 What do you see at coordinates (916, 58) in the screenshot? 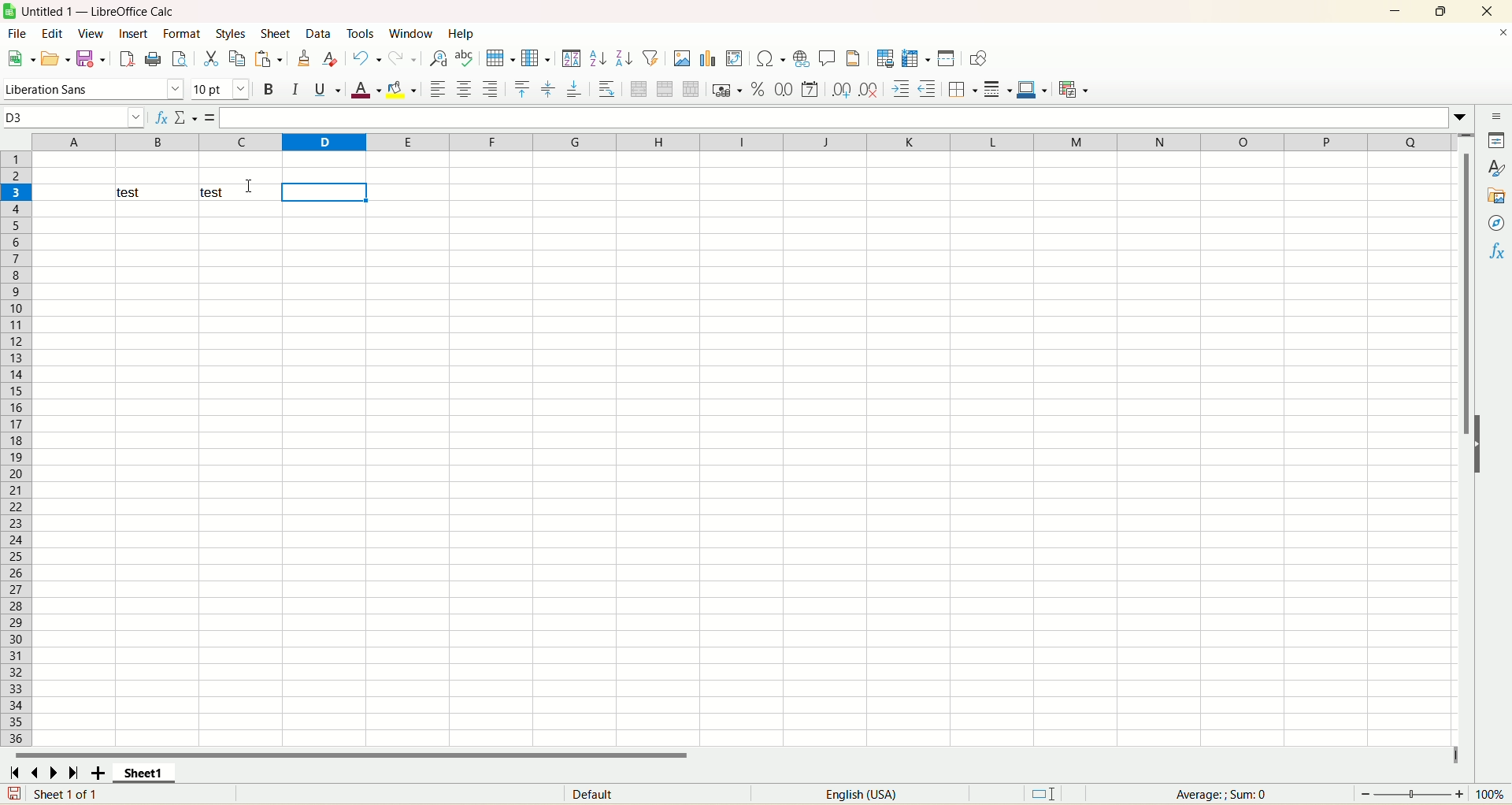
I see `Freeze rows and columns` at bounding box center [916, 58].